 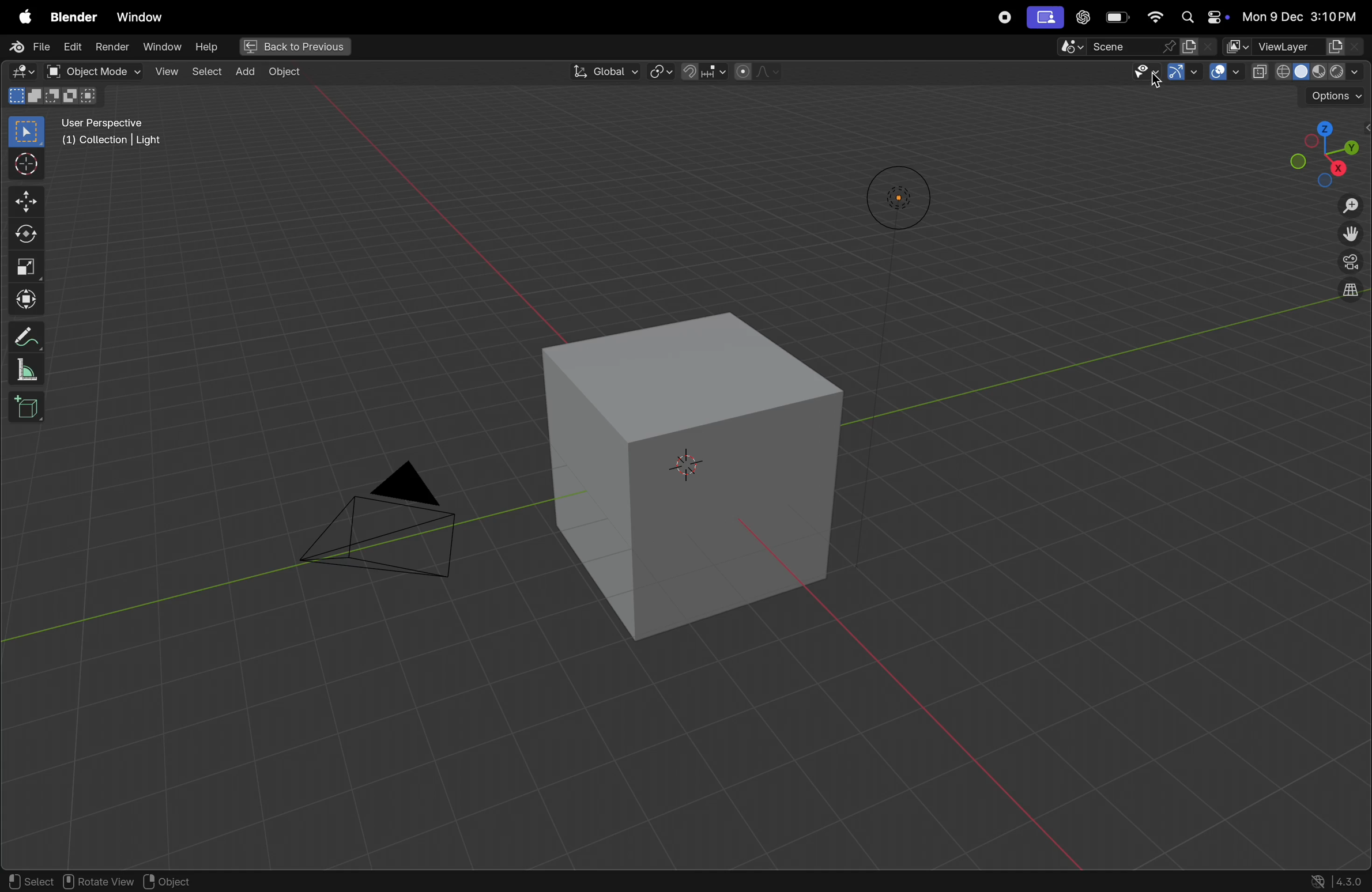 What do you see at coordinates (27, 164) in the screenshot?
I see `cursor` at bounding box center [27, 164].